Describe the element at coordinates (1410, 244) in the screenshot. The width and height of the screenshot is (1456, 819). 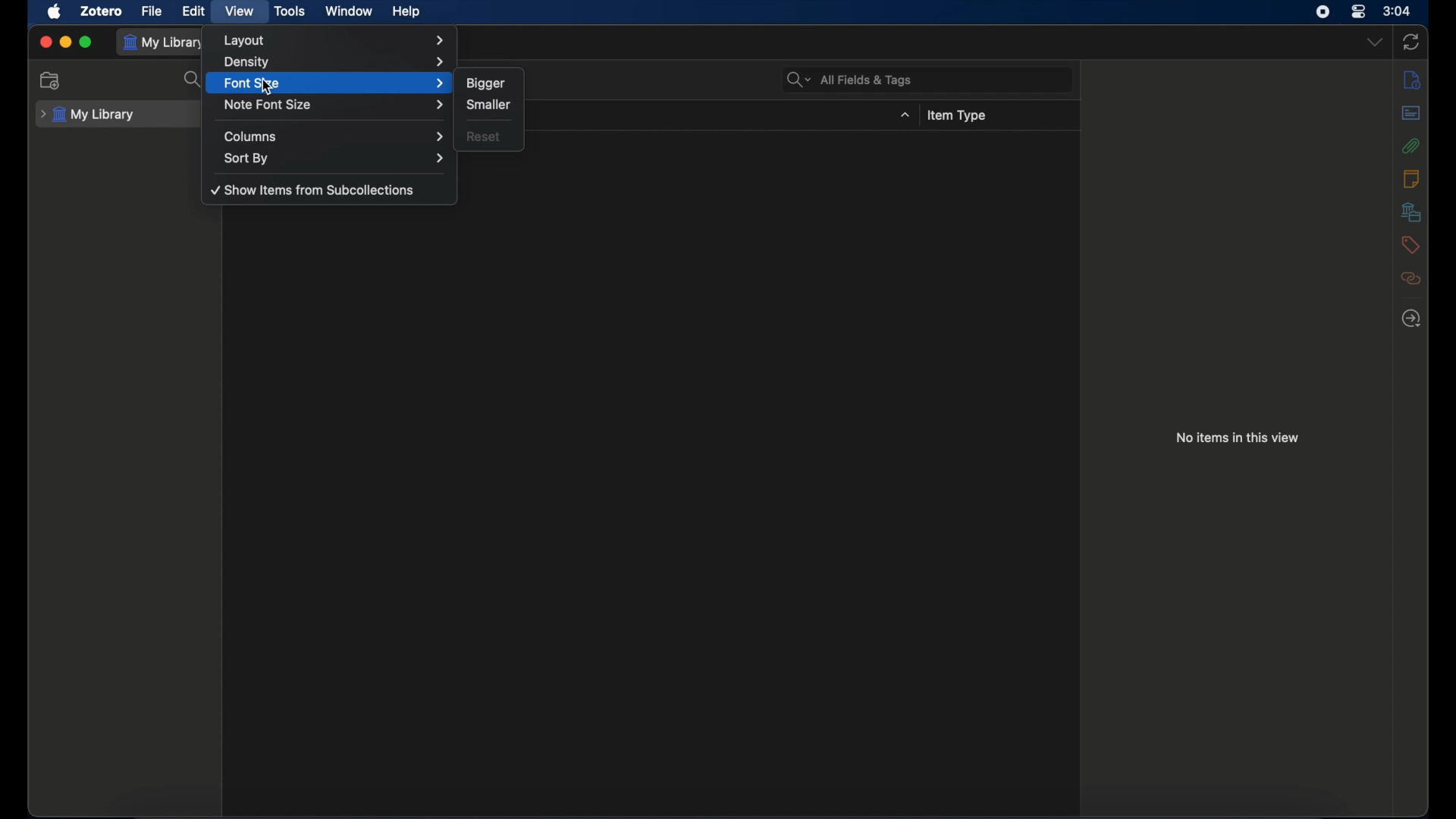
I see `tags` at that location.